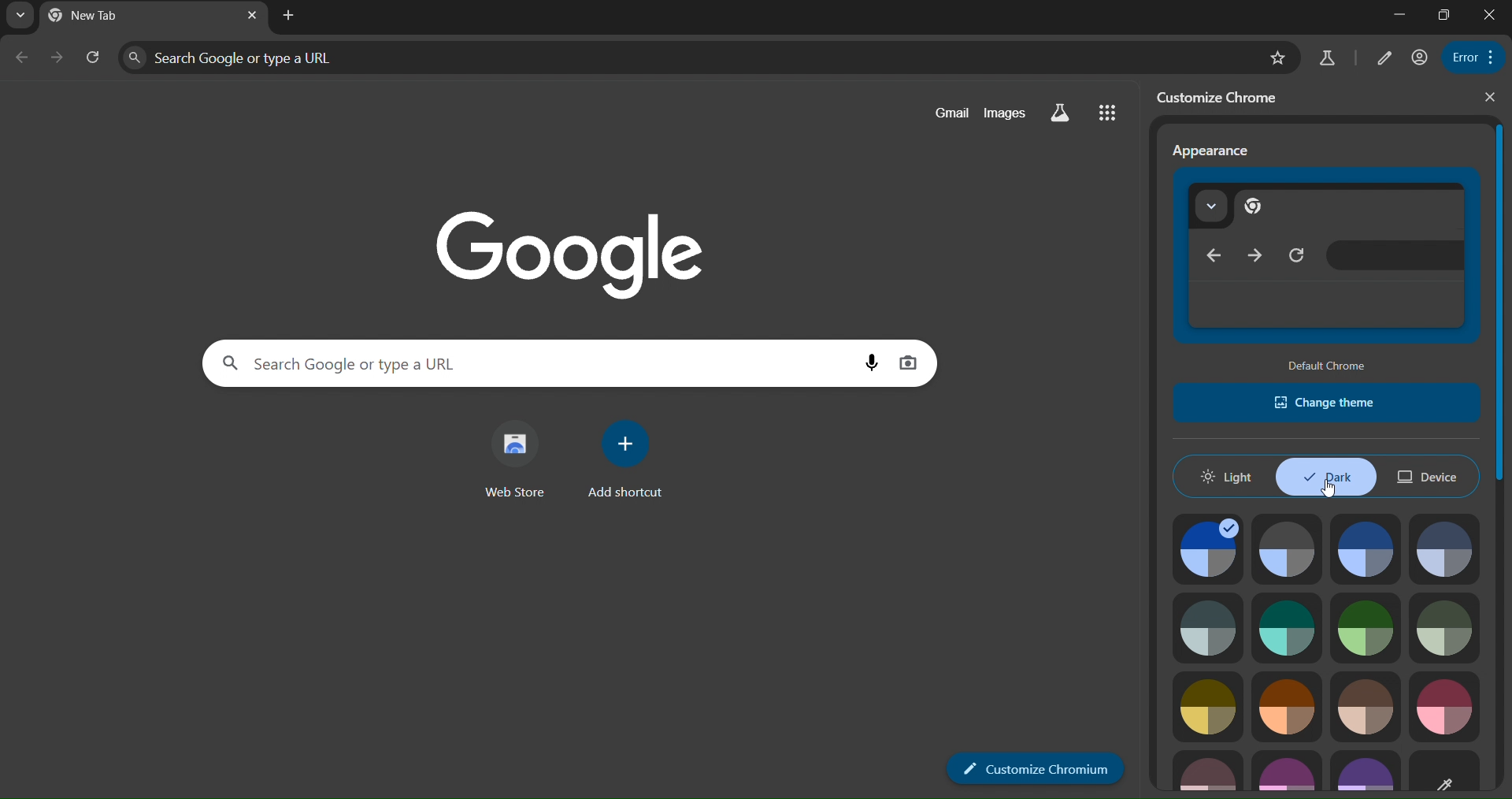 This screenshot has height=799, width=1512. What do you see at coordinates (1285, 771) in the screenshot?
I see `theme icon` at bounding box center [1285, 771].